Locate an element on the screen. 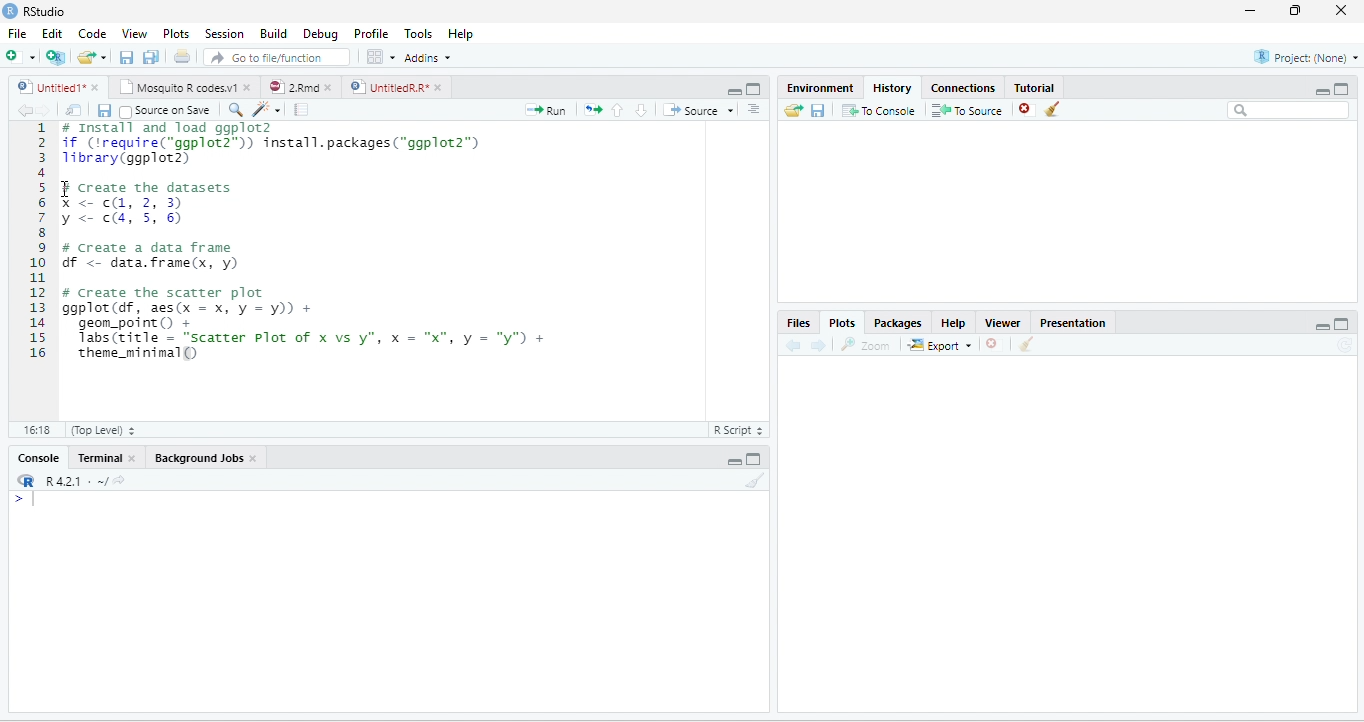  Clear console is located at coordinates (756, 480).